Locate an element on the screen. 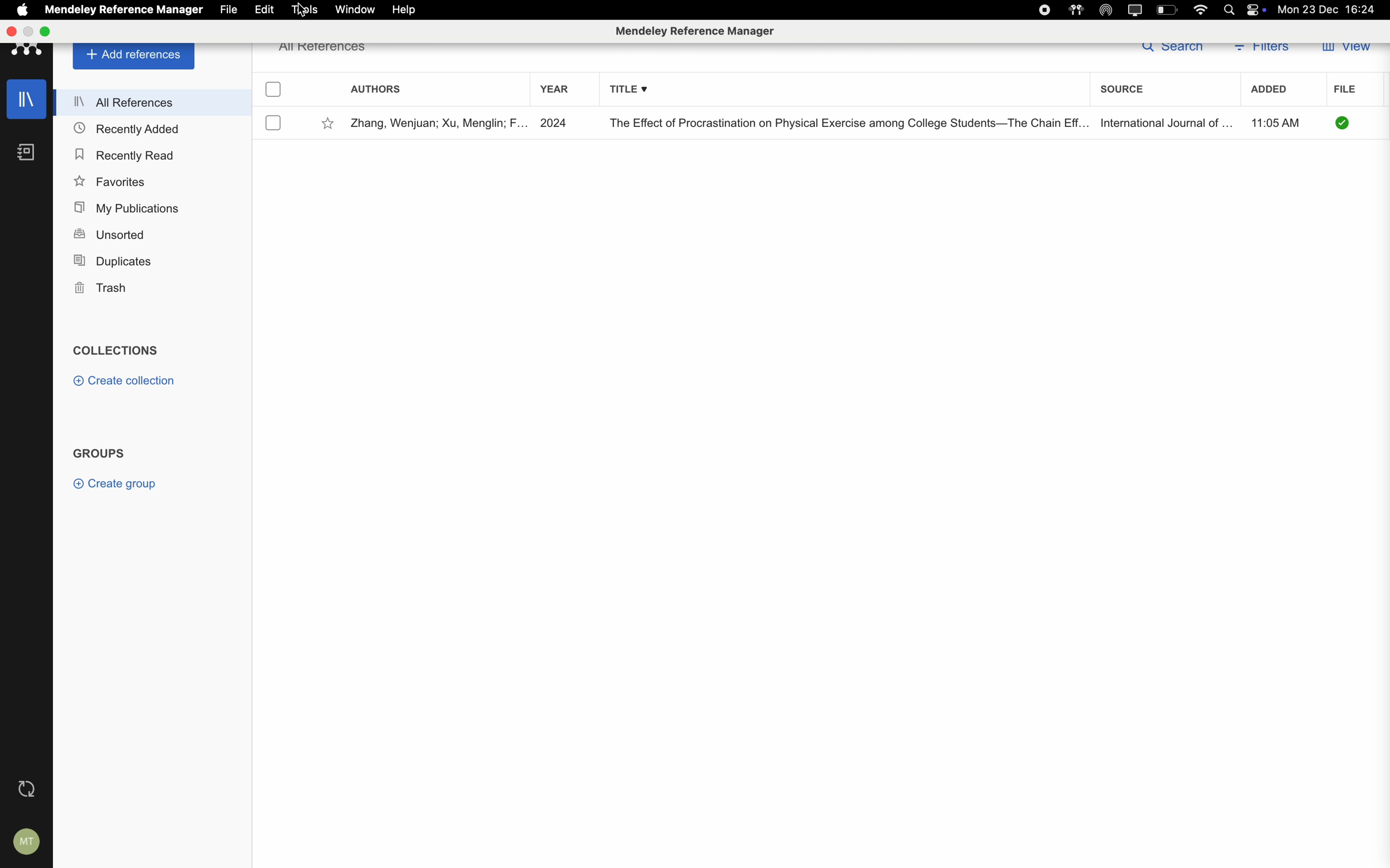 This screenshot has height=868, width=1390. library is located at coordinates (26, 98).